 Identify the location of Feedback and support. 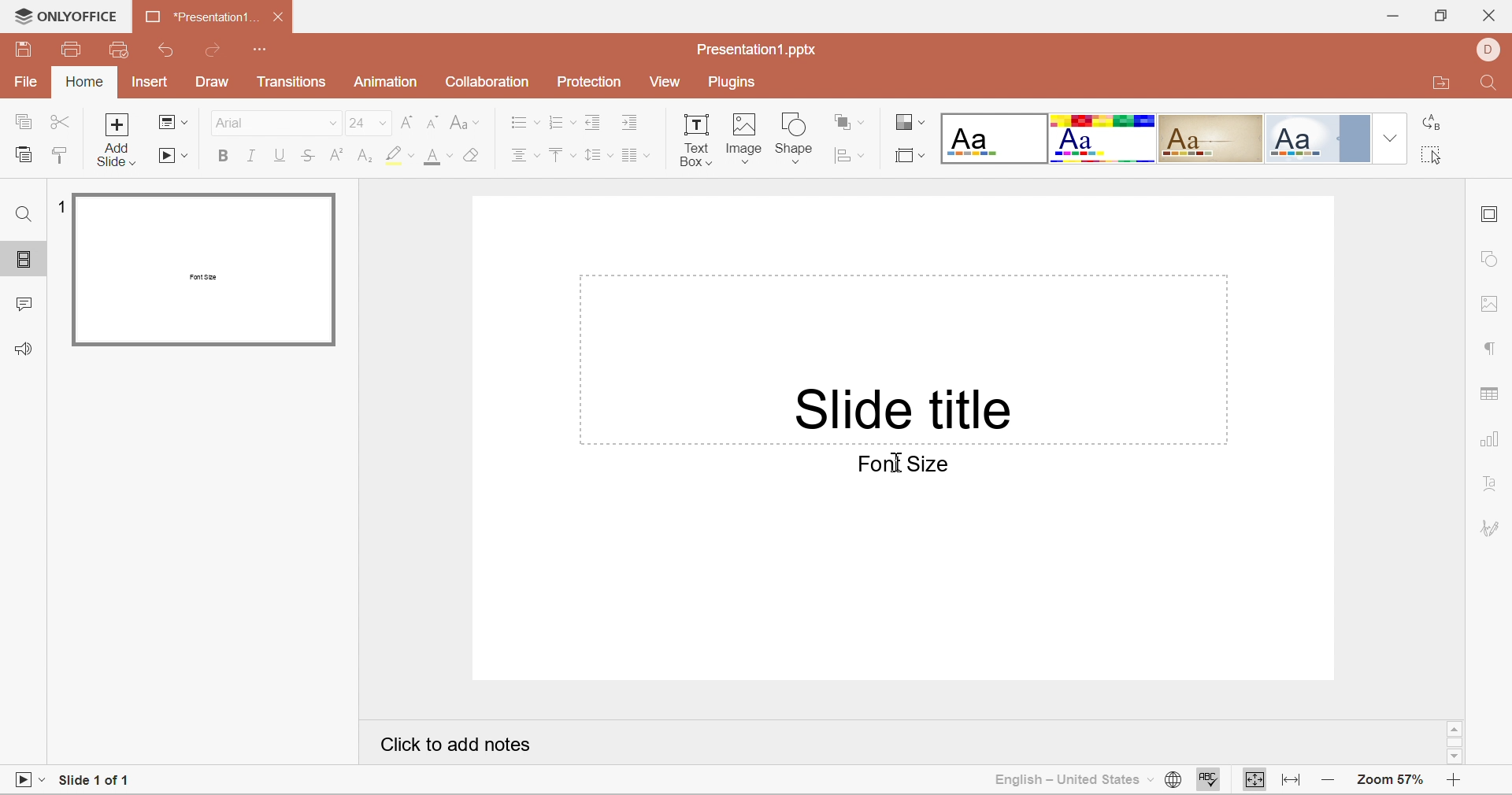
(27, 349).